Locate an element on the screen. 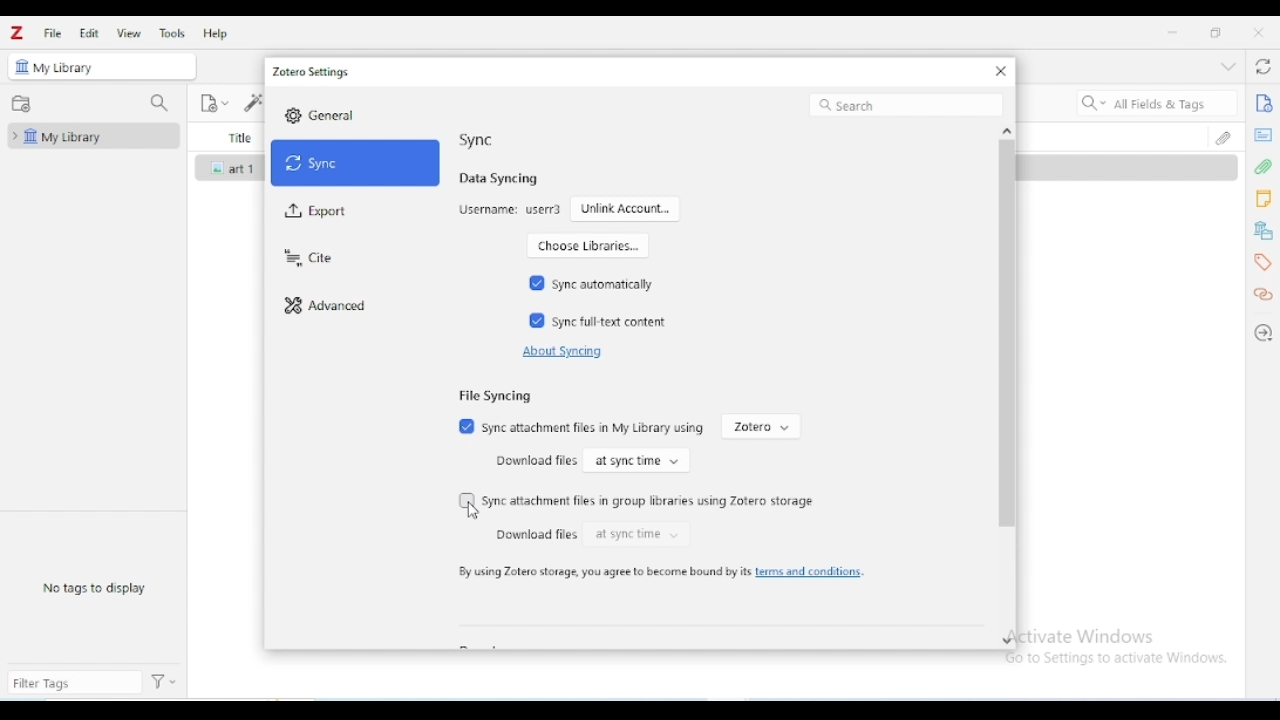 This screenshot has width=1280, height=720. zotero settings is located at coordinates (312, 72).